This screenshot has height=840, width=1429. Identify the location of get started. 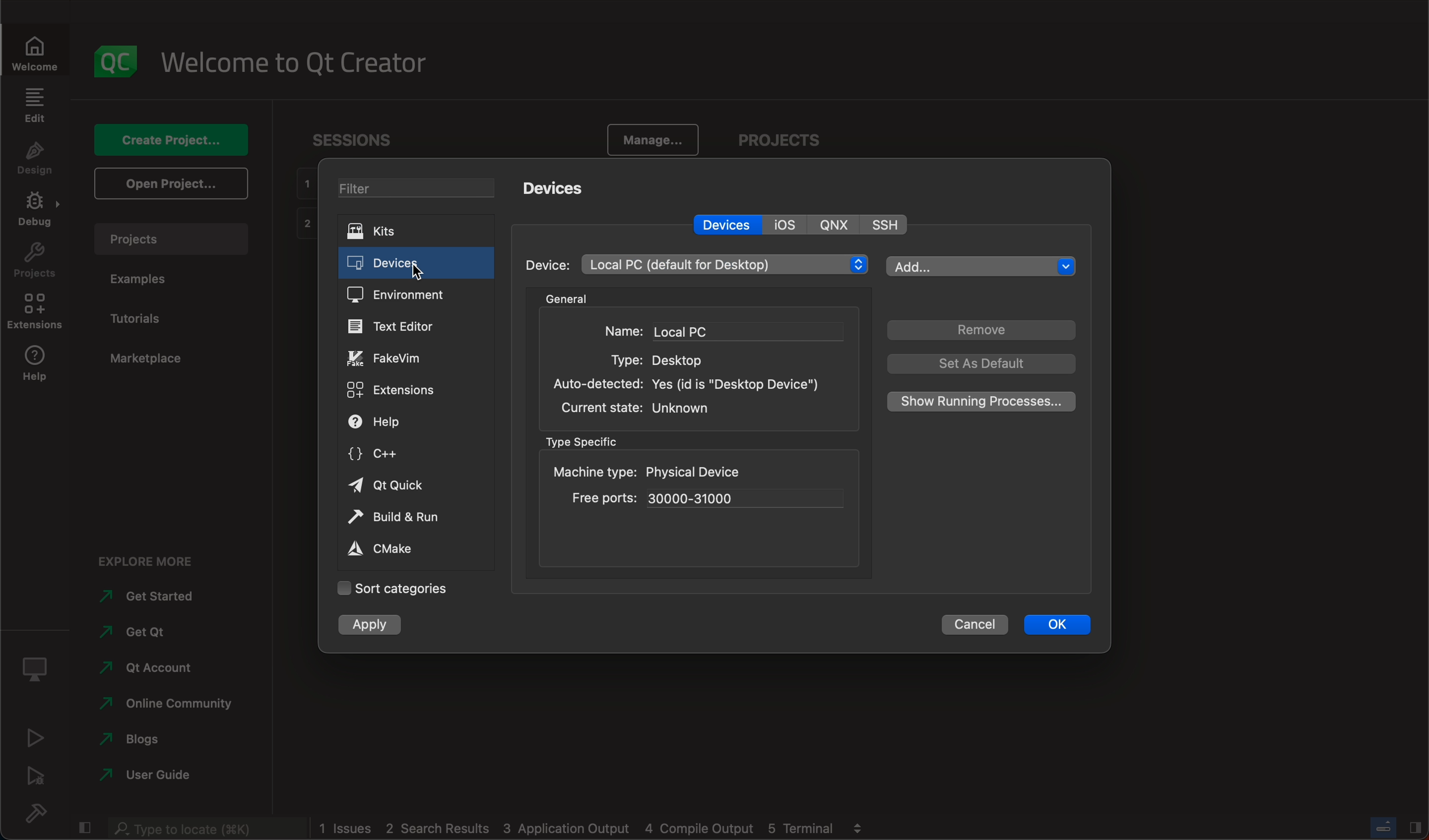
(163, 597).